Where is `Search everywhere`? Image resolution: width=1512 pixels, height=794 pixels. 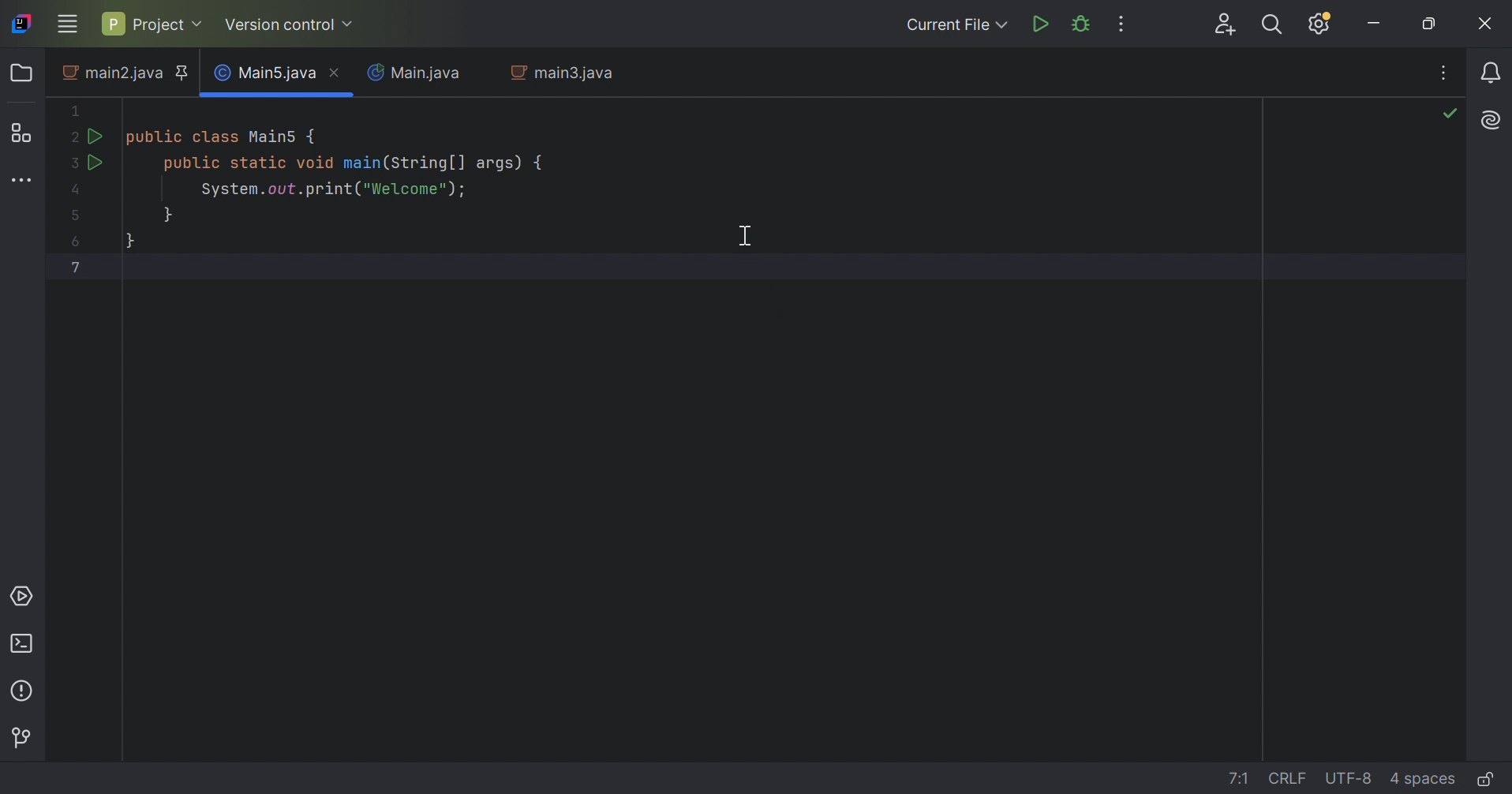 Search everywhere is located at coordinates (1273, 24).